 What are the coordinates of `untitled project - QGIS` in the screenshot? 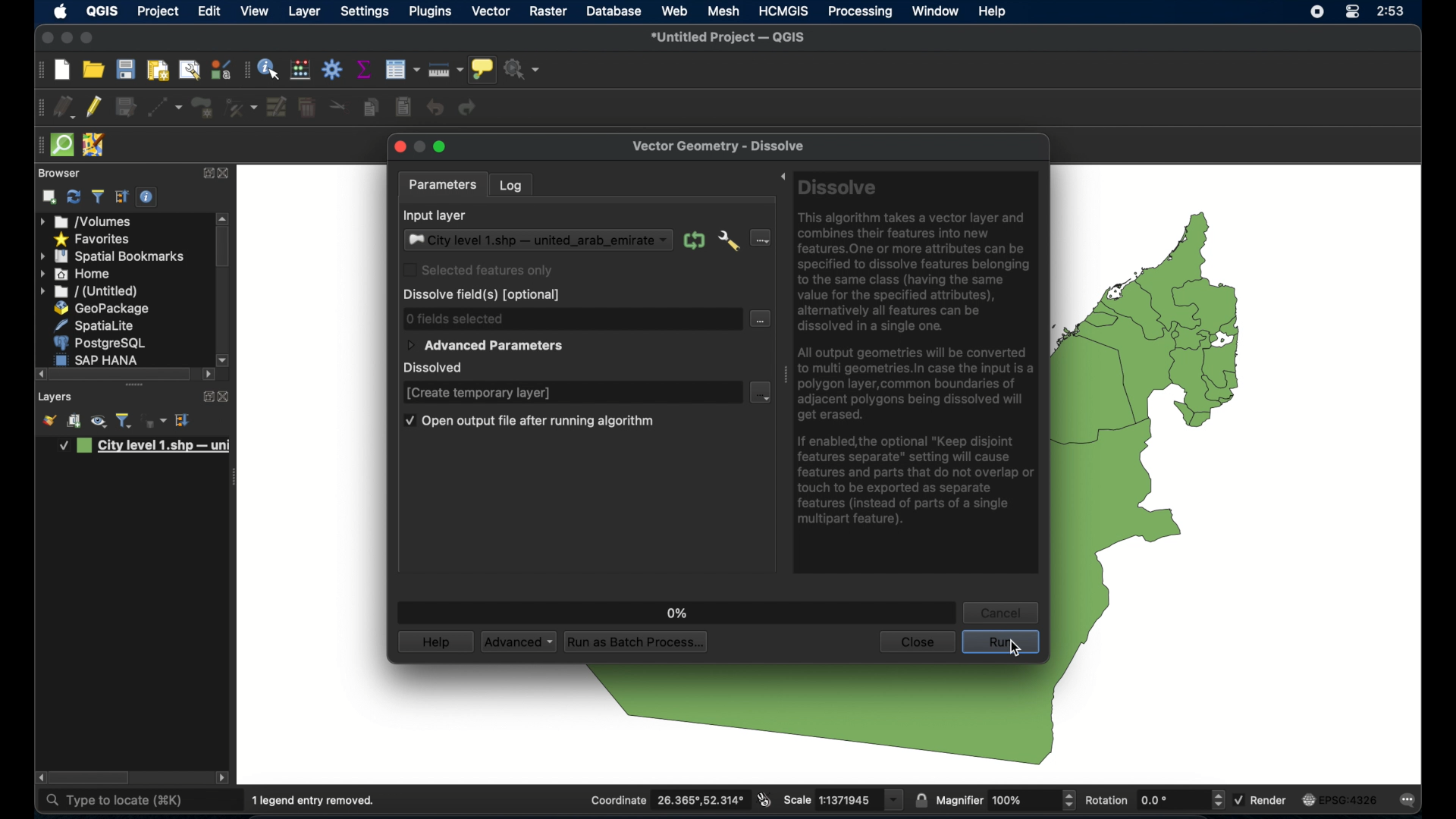 It's located at (732, 38).